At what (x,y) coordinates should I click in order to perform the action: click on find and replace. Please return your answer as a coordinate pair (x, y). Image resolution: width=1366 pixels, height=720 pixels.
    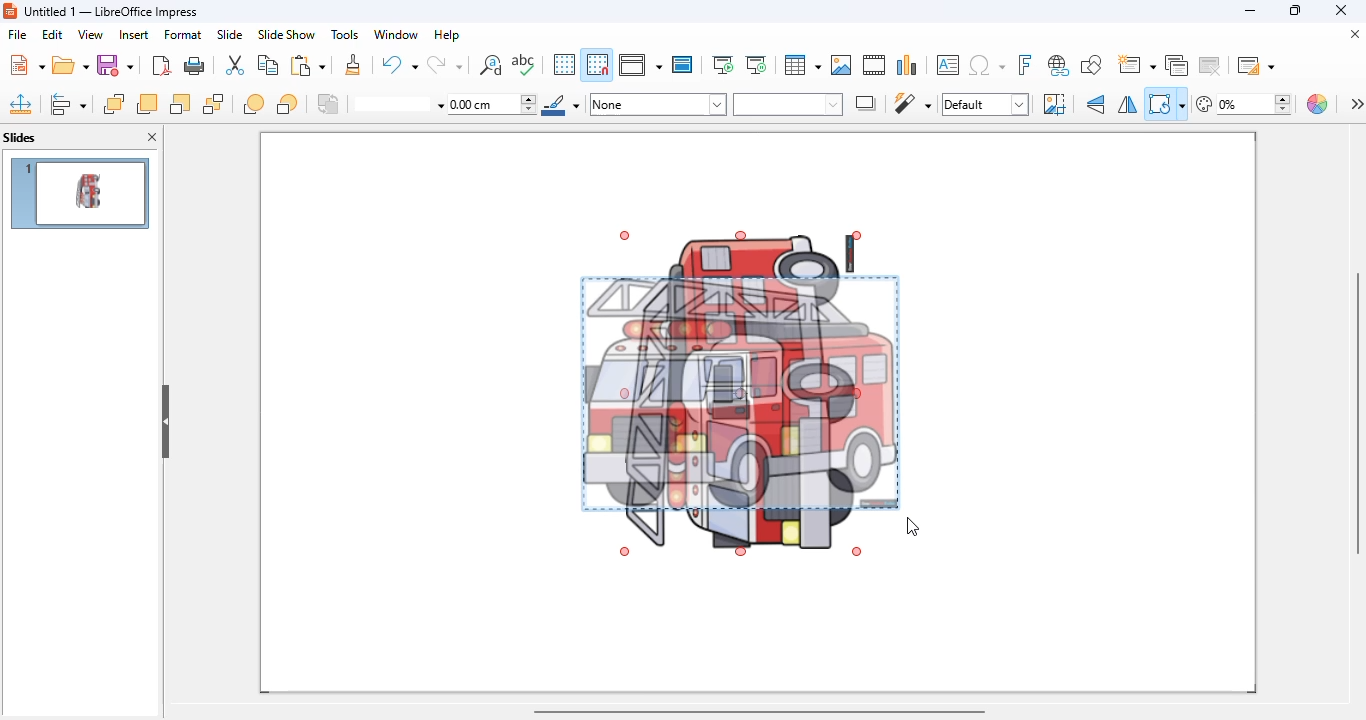
    Looking at the image, I should click on (490, 64).